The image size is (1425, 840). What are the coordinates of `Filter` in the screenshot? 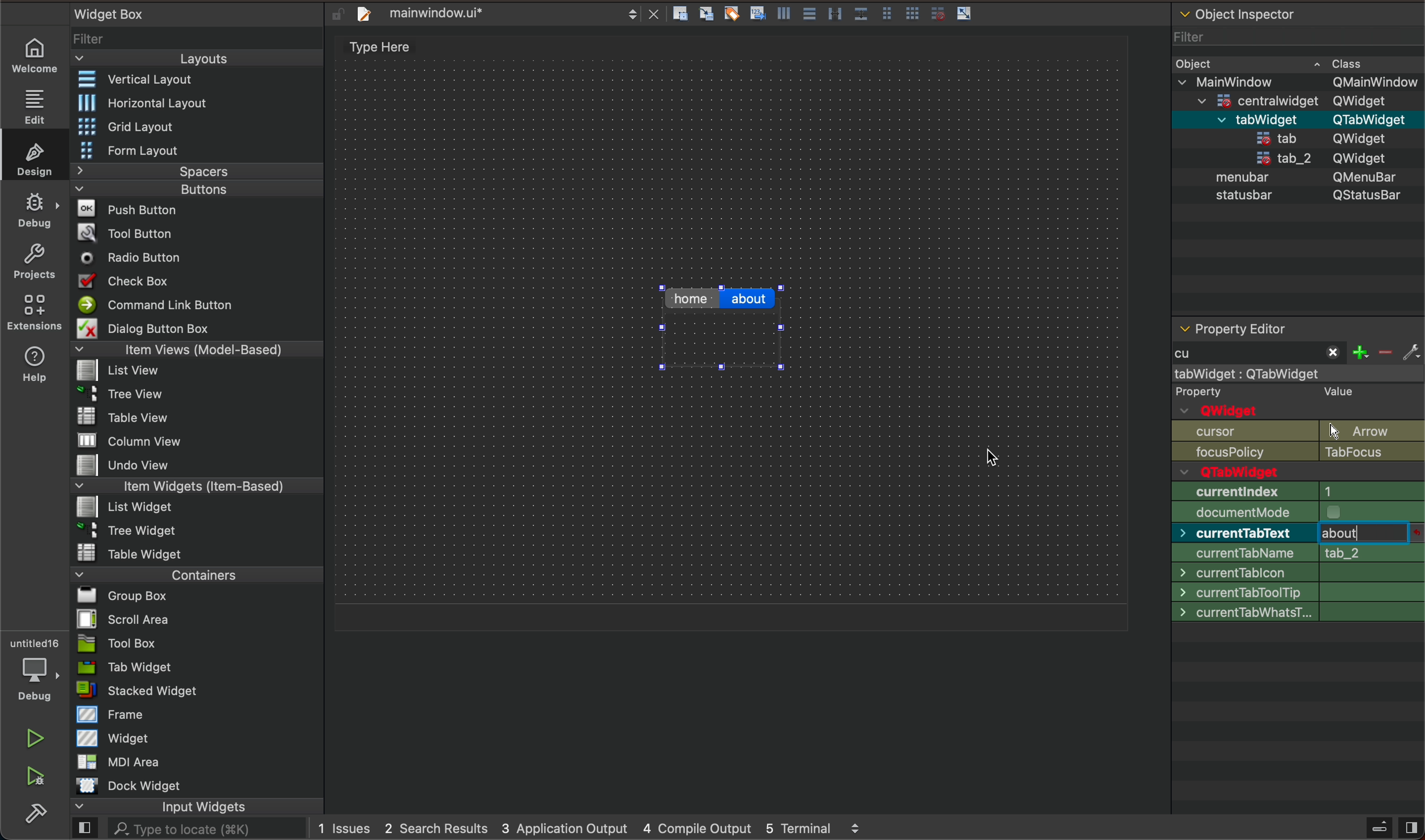 It's located at (93, 37).